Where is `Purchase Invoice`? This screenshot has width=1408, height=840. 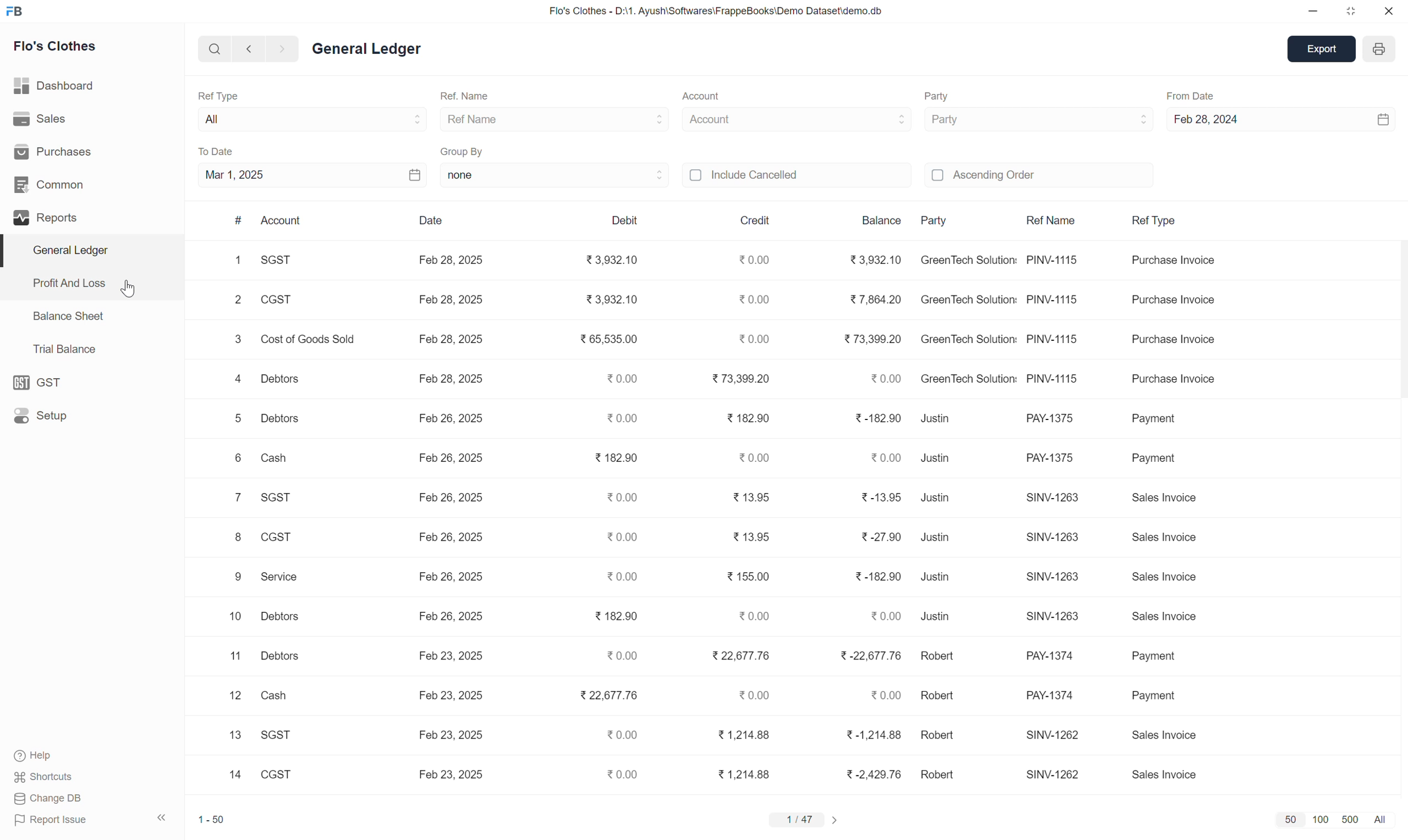
Purchase Invoice is located at coordinates (1180, 262).